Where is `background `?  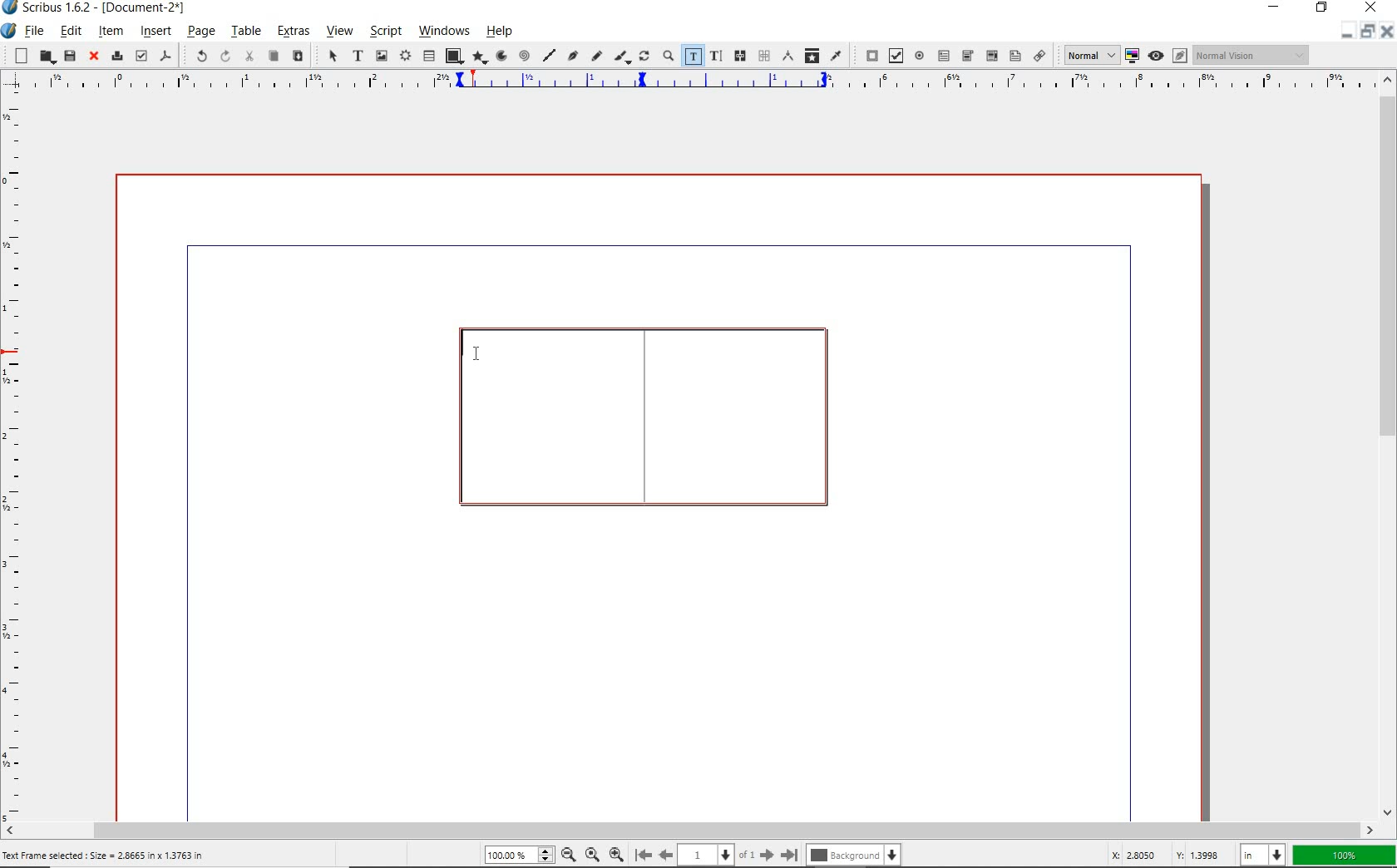 background  is located at coordinates (852, 855).